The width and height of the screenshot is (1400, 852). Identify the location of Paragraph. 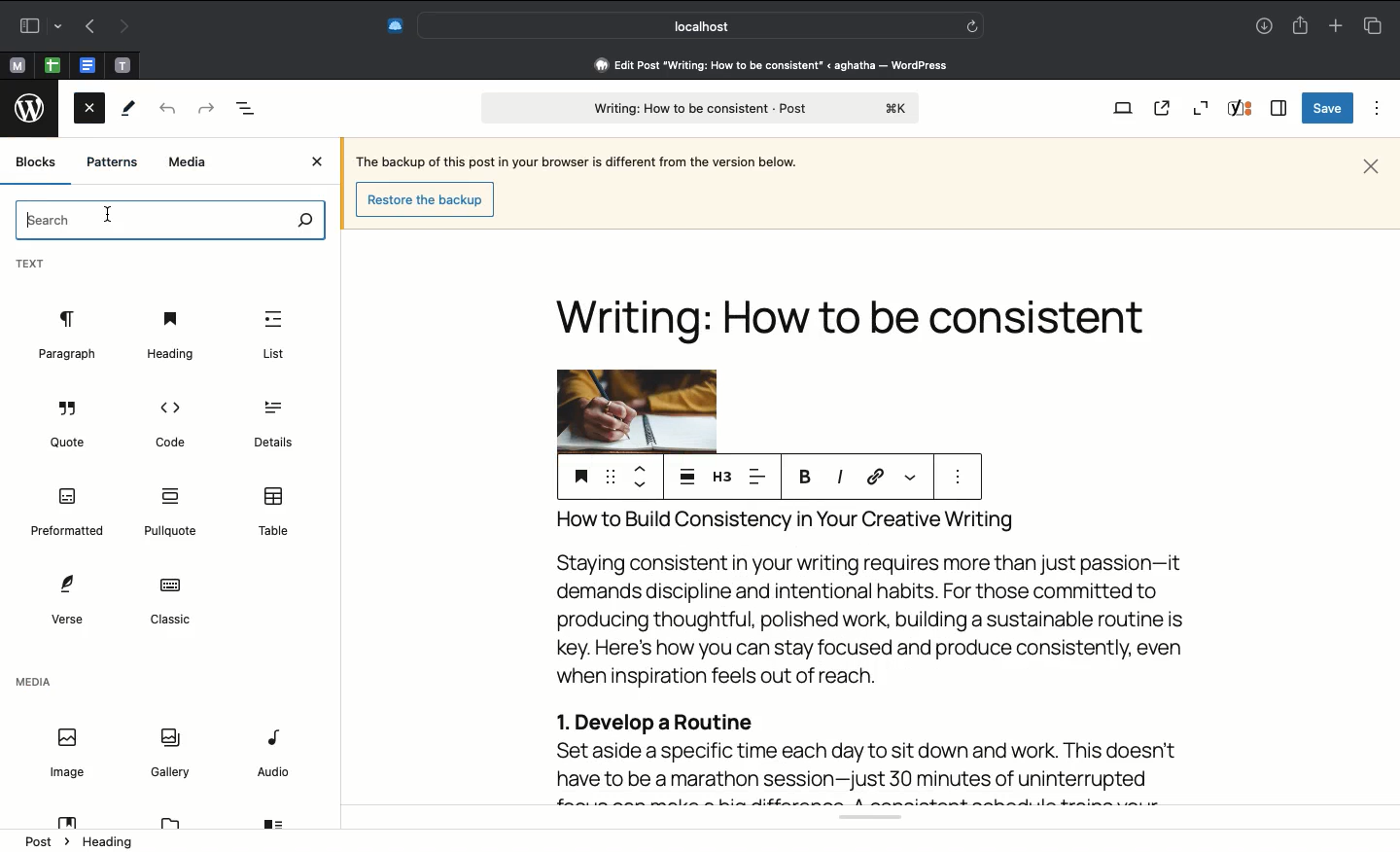
(66, 336).